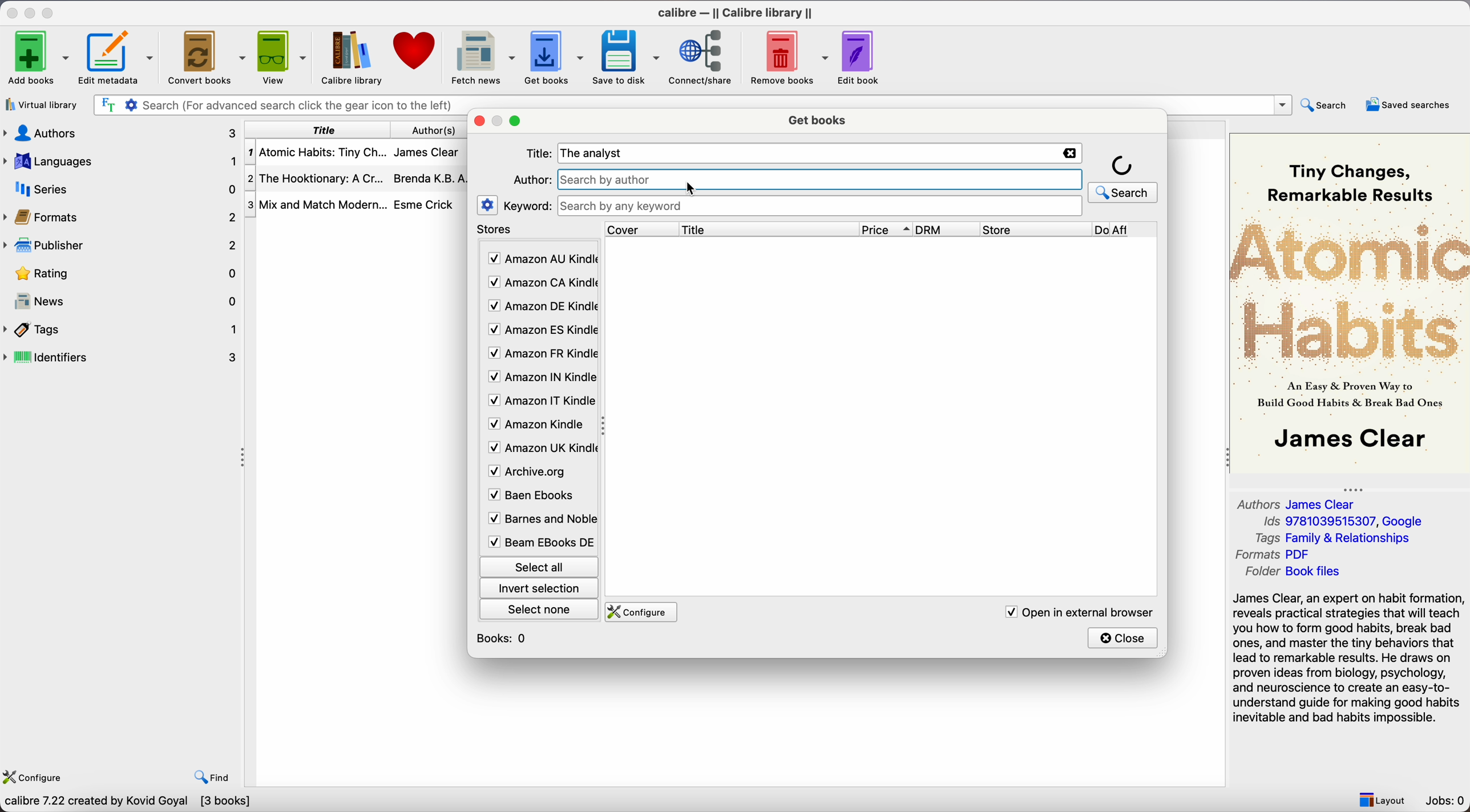  I want to click on cover, so click(637, 229).